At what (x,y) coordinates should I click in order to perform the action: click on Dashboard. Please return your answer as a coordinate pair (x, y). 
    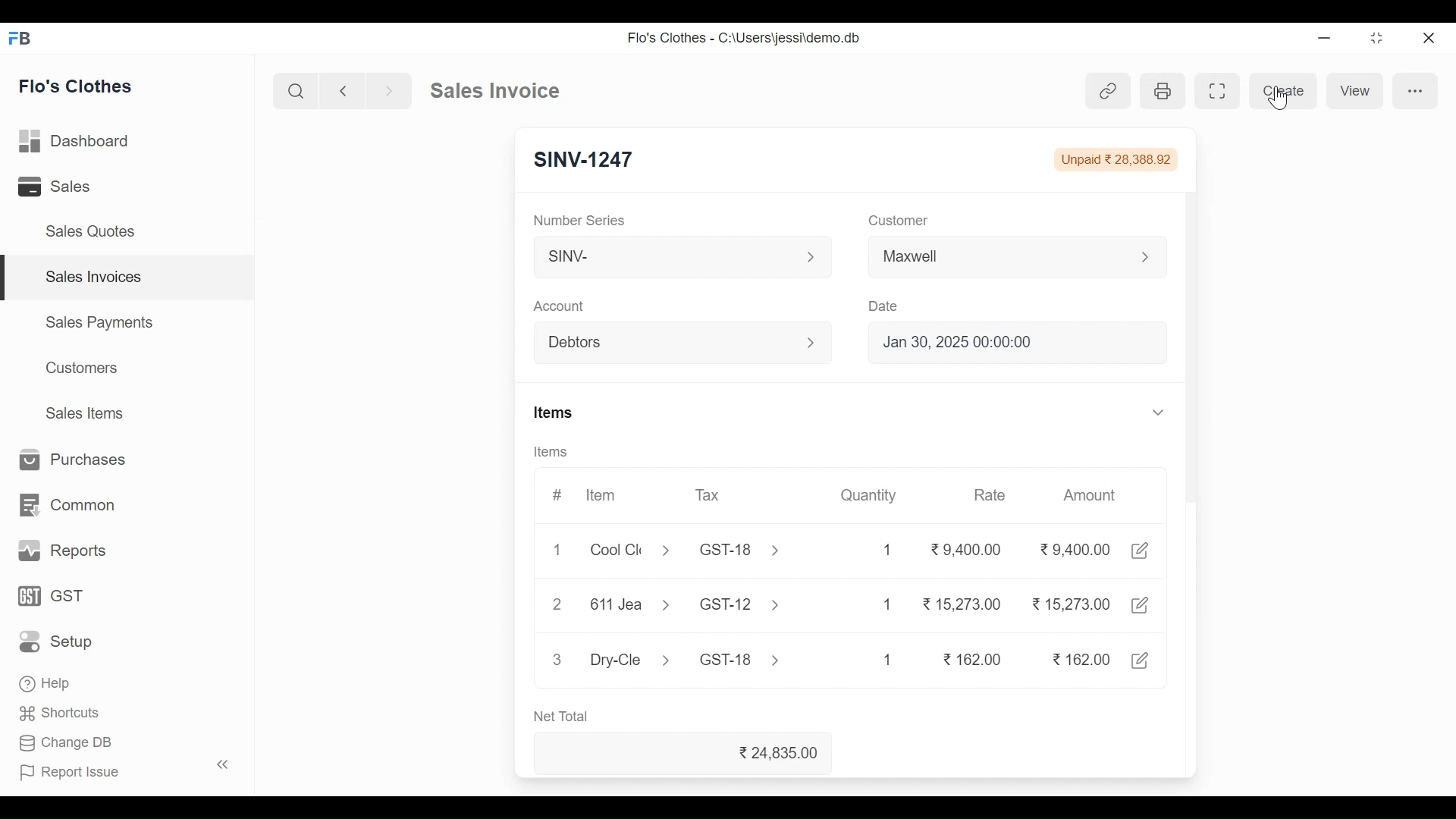
    Looking at the image, I should click on (76, 143).